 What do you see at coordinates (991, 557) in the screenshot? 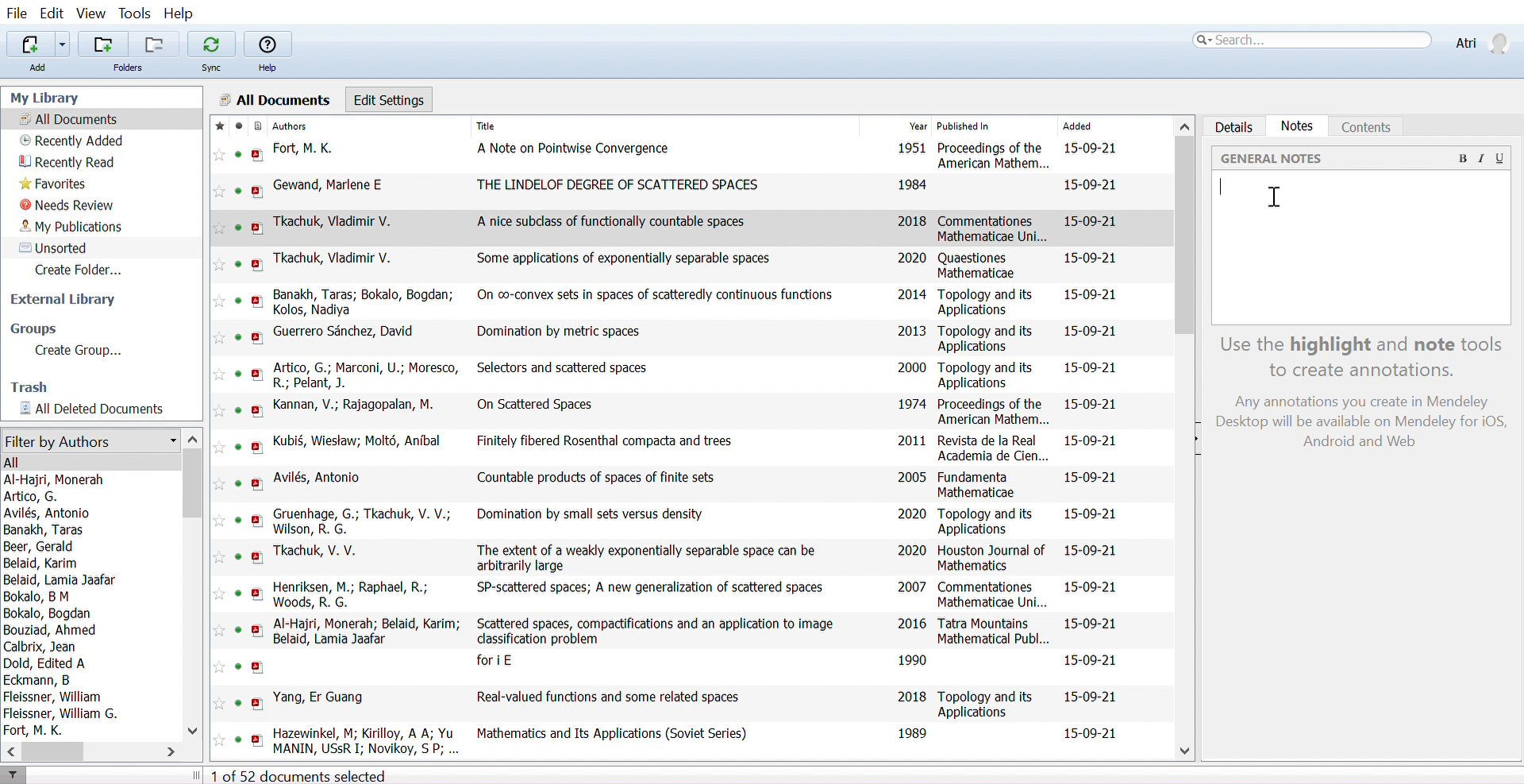
I see `Houston Journal of Mathematics` at bounding box center [991, 557].